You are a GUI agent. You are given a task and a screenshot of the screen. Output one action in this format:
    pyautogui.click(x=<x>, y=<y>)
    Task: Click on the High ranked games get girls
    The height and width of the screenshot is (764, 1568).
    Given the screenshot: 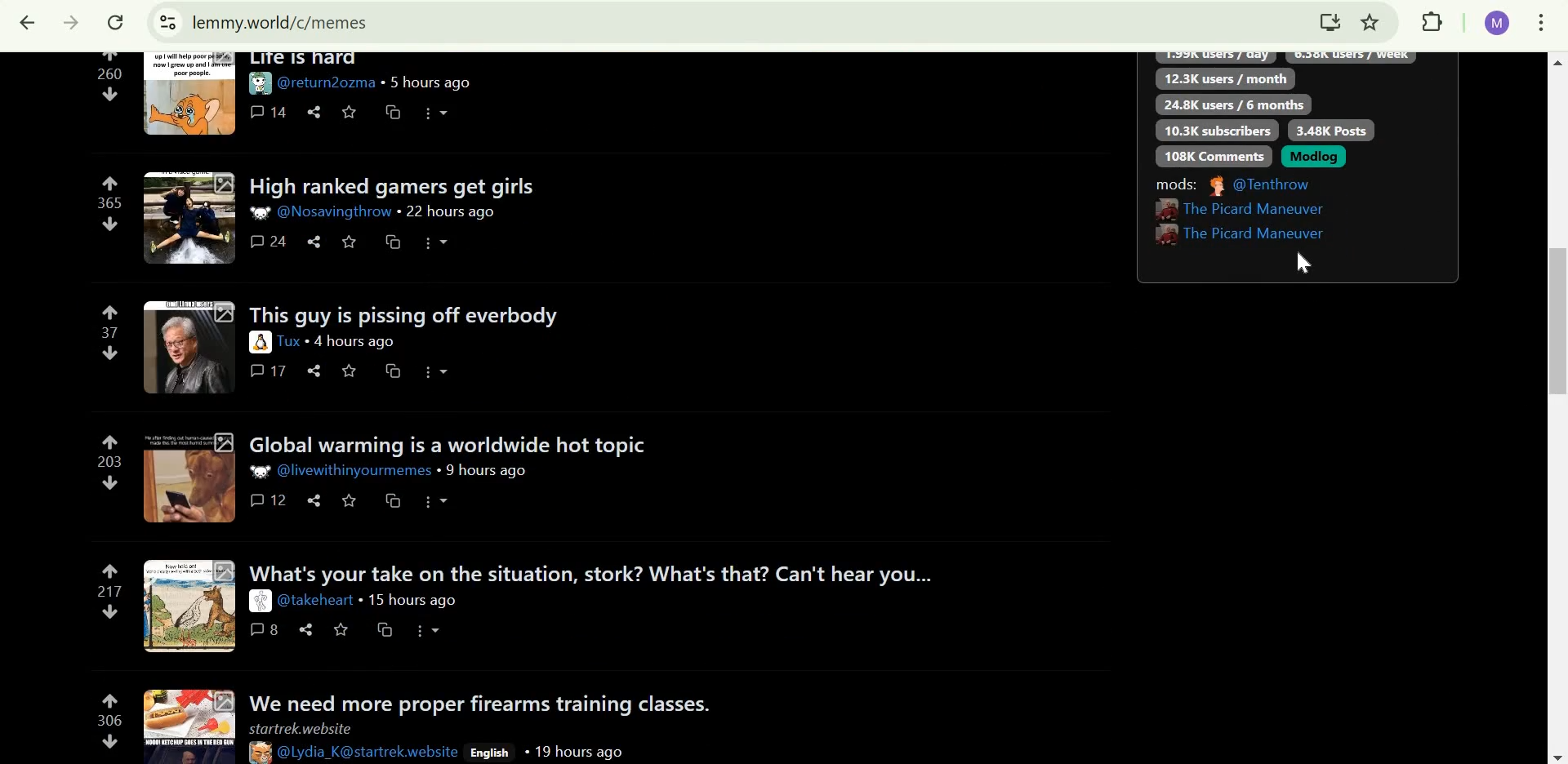 What is the action you would take?
    pyautogui.click(x=403, y=187)
    